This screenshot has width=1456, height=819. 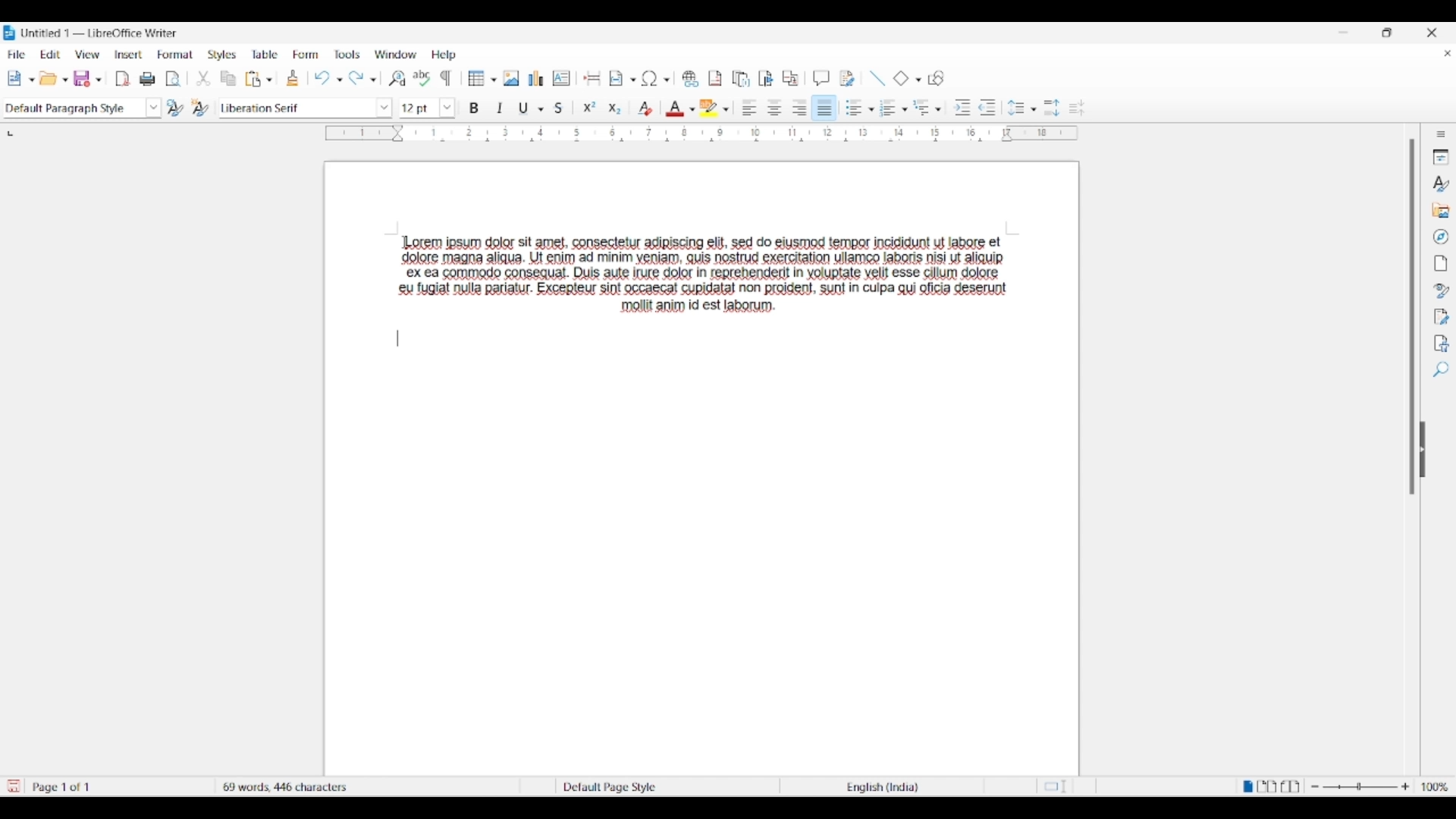 I want to click on Default Page Style, so click(x=609, y=786).